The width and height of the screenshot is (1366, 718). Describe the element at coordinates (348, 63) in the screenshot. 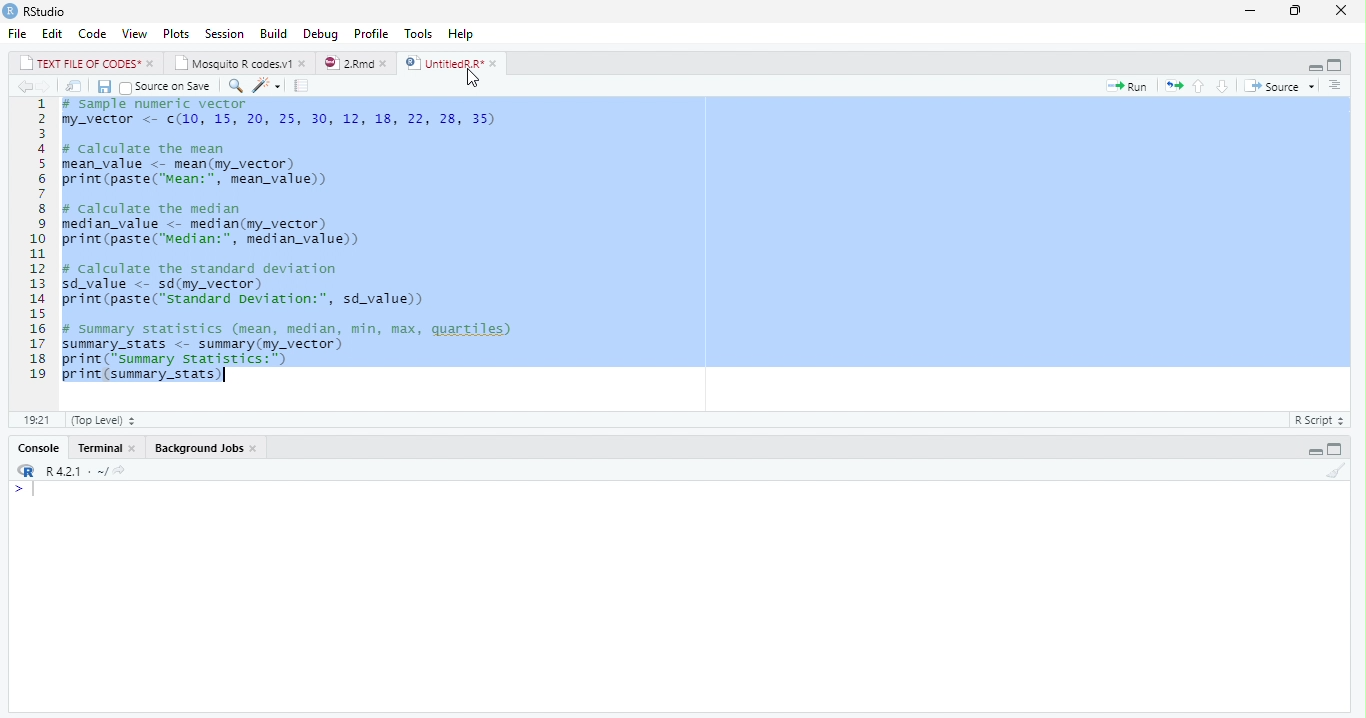

I see `2.Rmd` at that location.